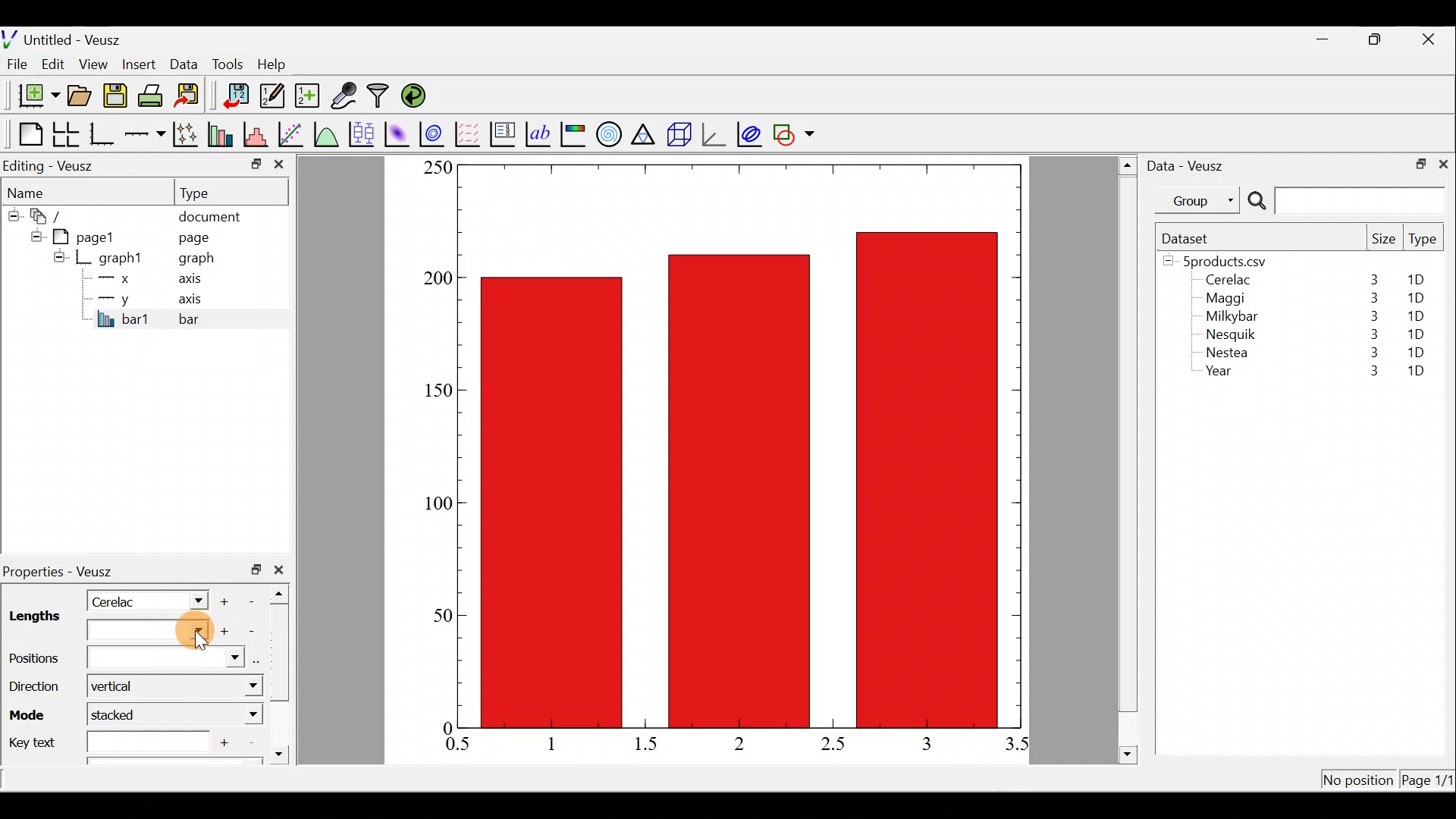 This screenshot has height=819, width=1456. I want to click on Open a document, so click(81, 97).